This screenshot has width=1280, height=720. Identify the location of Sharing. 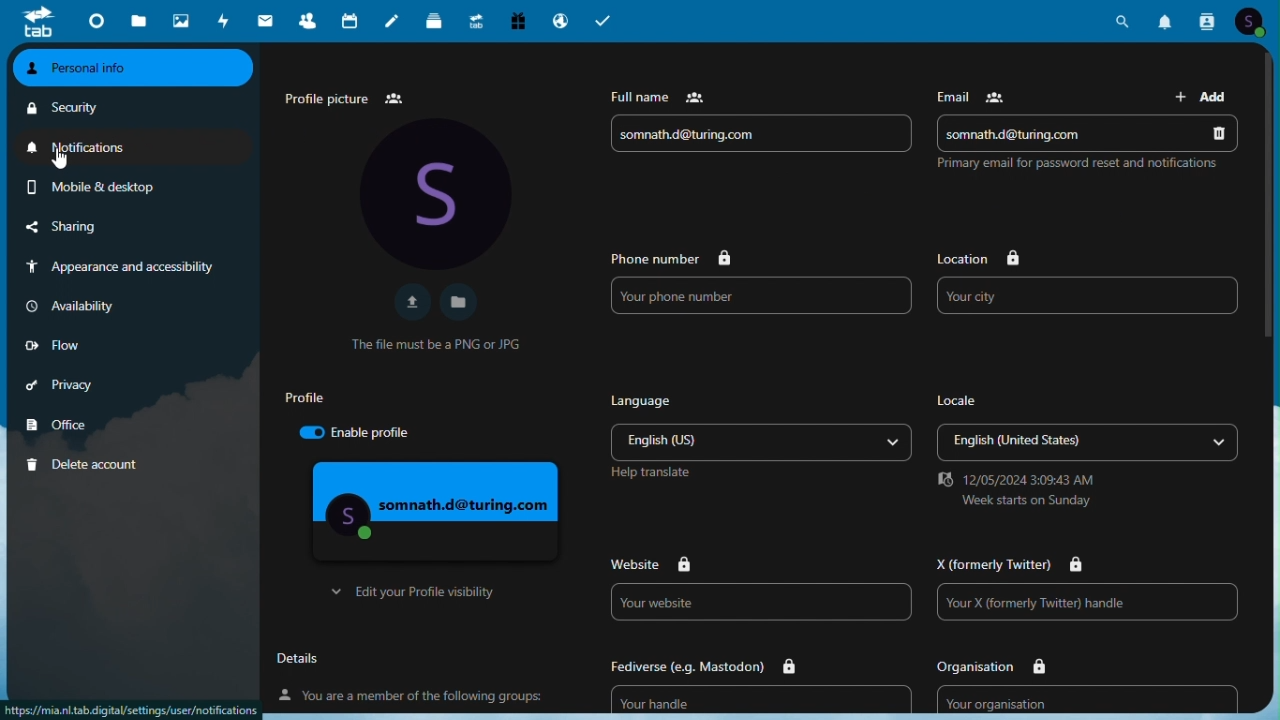
(85, 228).